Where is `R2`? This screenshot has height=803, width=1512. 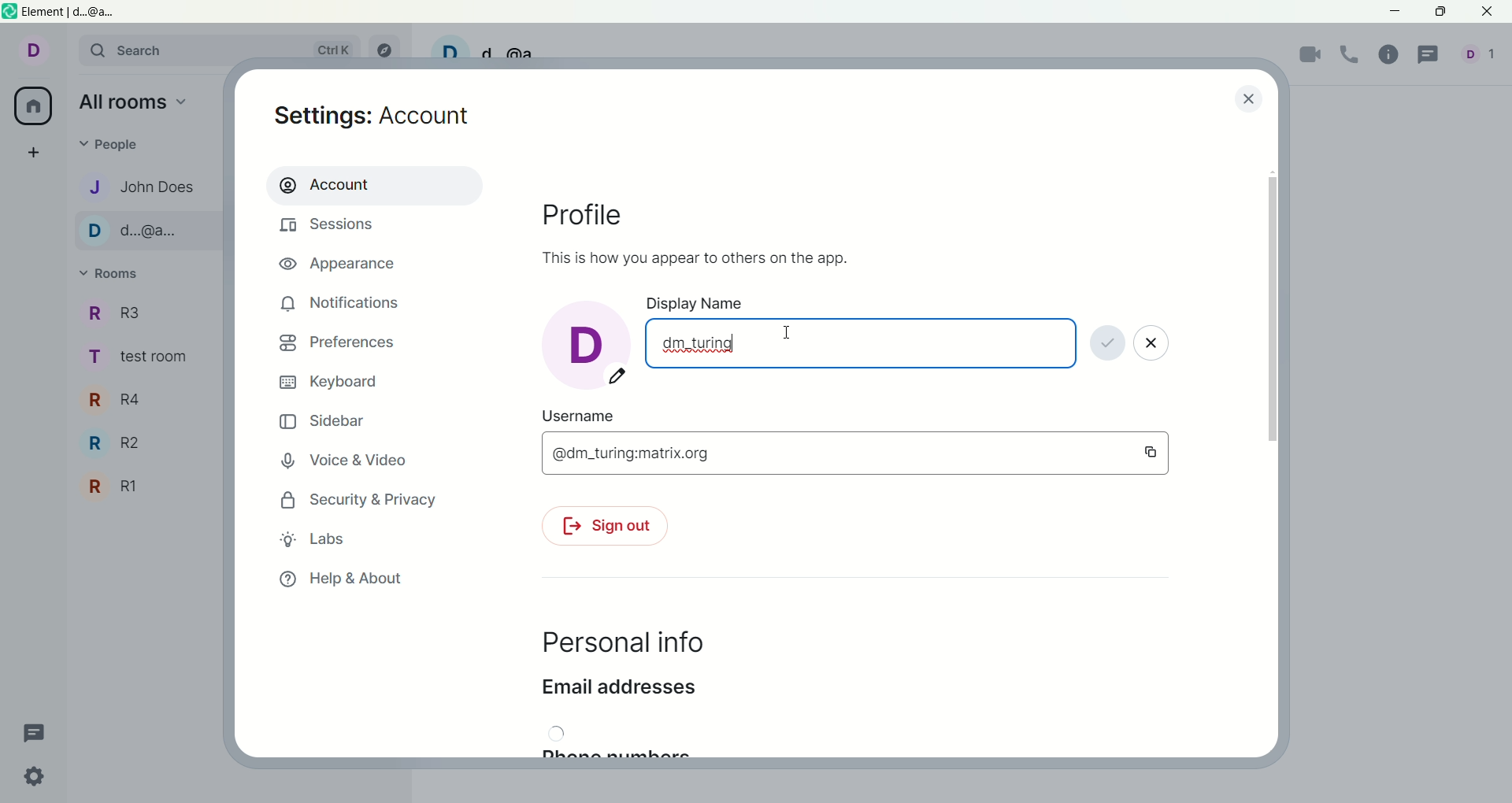 R2 is located at coordinates (122, 445).